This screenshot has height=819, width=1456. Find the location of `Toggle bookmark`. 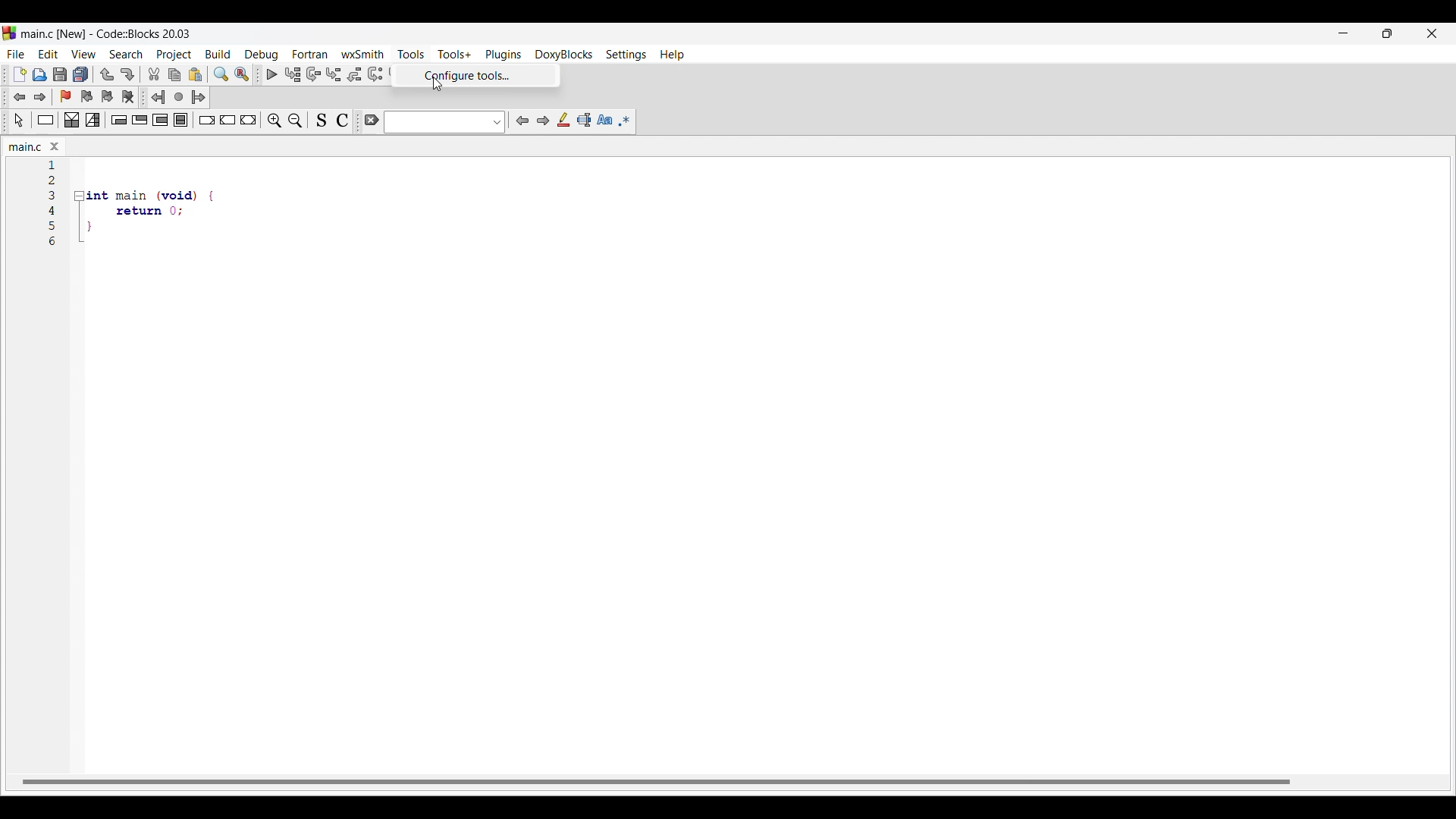

Toggle bookmark is located at coordinates (65, 97).